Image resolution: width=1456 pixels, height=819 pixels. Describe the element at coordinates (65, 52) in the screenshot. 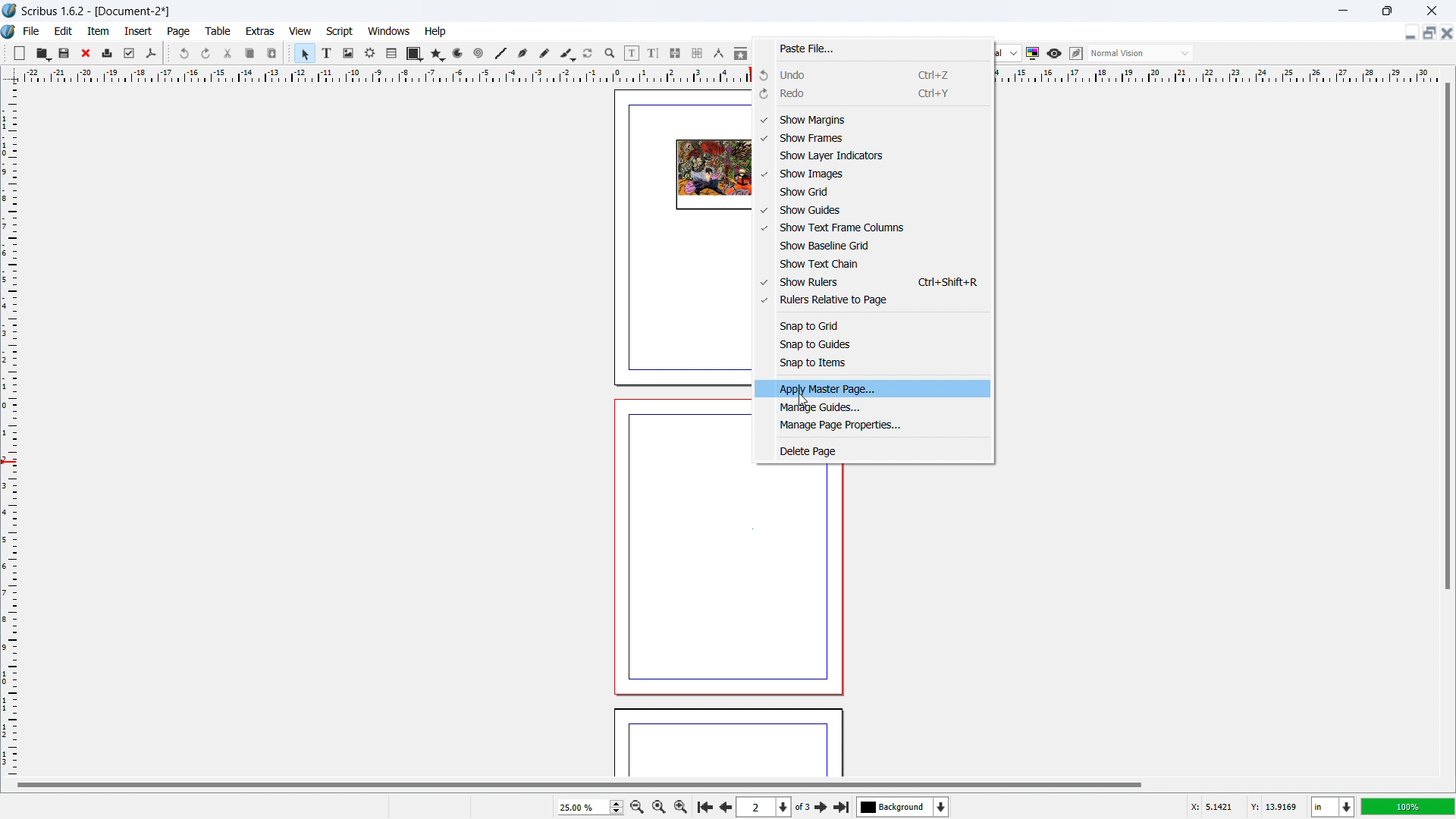

I see `save` at that location.